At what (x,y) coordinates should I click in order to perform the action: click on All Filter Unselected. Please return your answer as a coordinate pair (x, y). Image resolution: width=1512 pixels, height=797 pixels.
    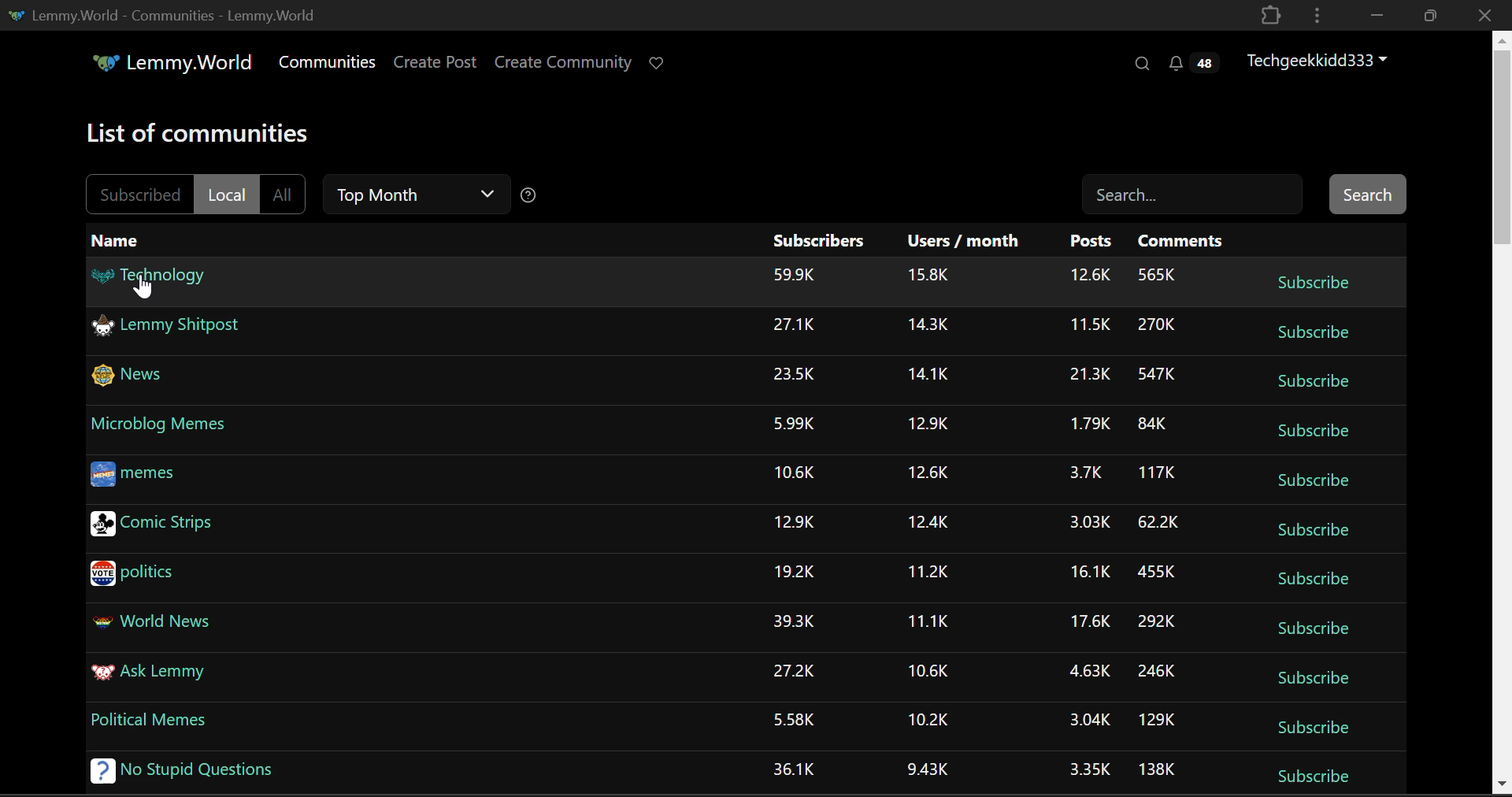
    Looking at the image, I should click on (283, 195).